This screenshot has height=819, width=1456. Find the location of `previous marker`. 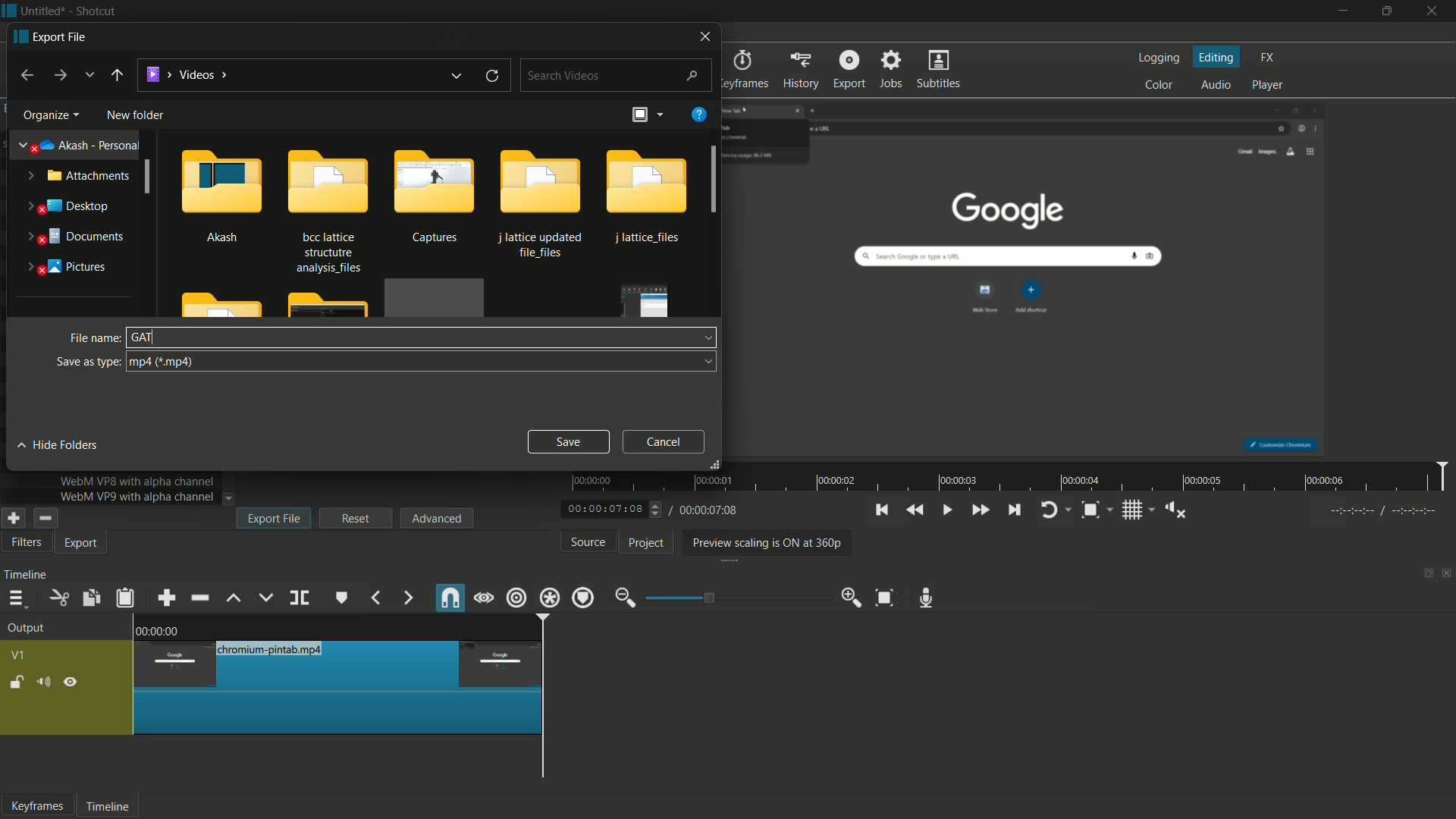

previous marker is located at coordinates (375, 598).